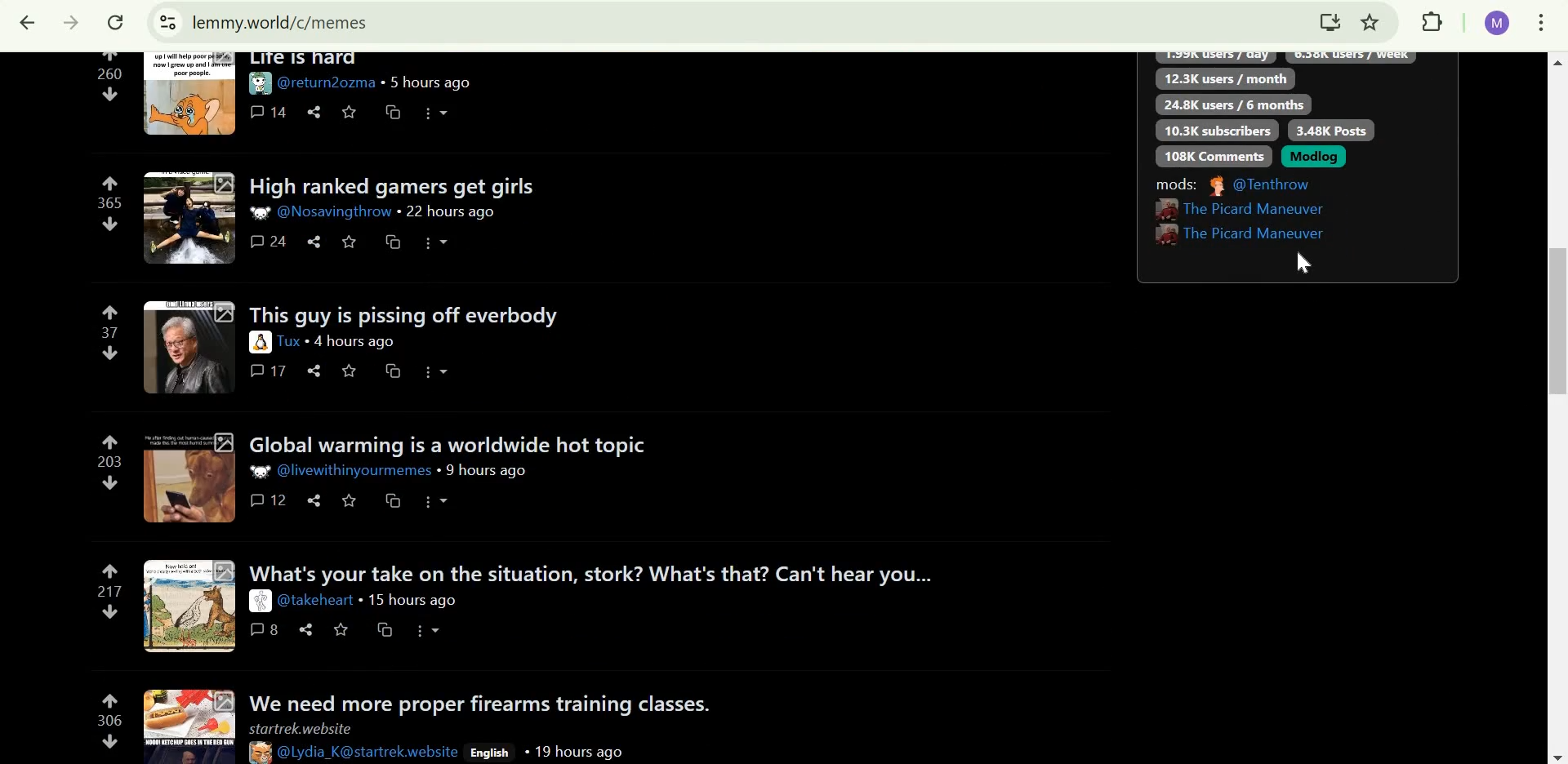  What do you see at coordinates (572, 751) in the screenshot?
I see `19 hours ago` at bounding box center [572, 751].